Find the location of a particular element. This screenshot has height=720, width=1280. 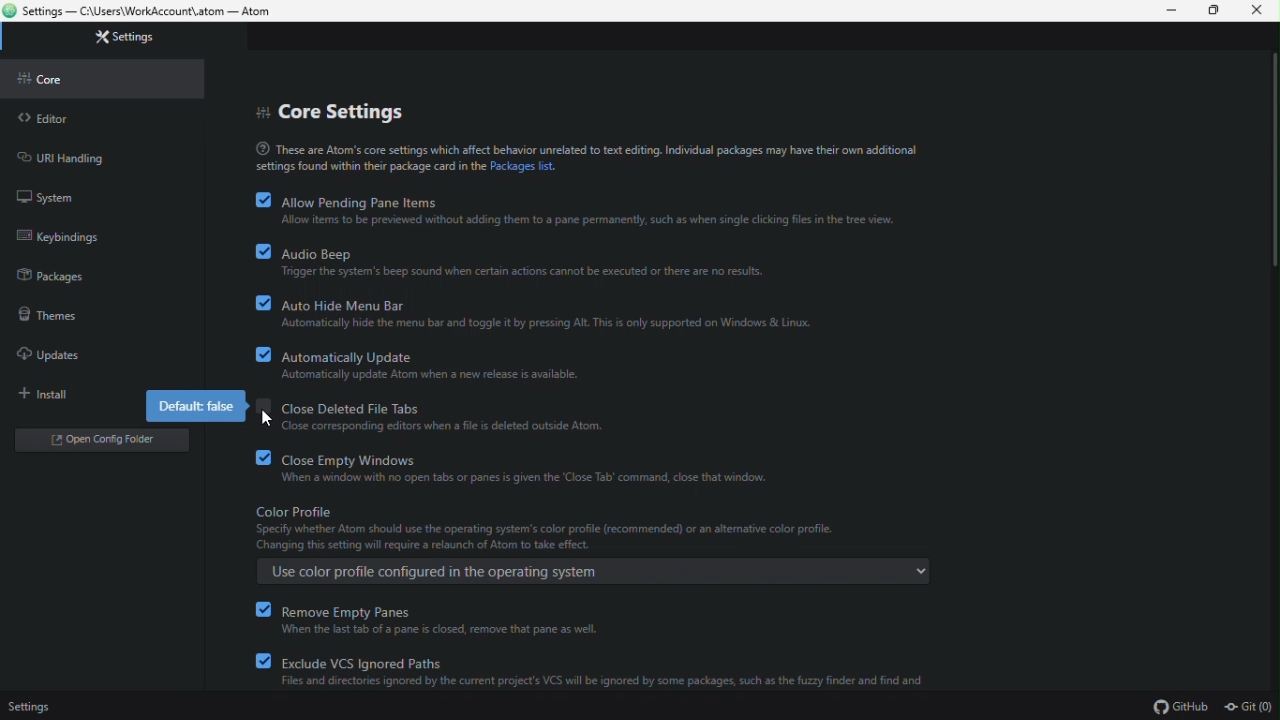

Cursor is located at coordinates (266, 420).